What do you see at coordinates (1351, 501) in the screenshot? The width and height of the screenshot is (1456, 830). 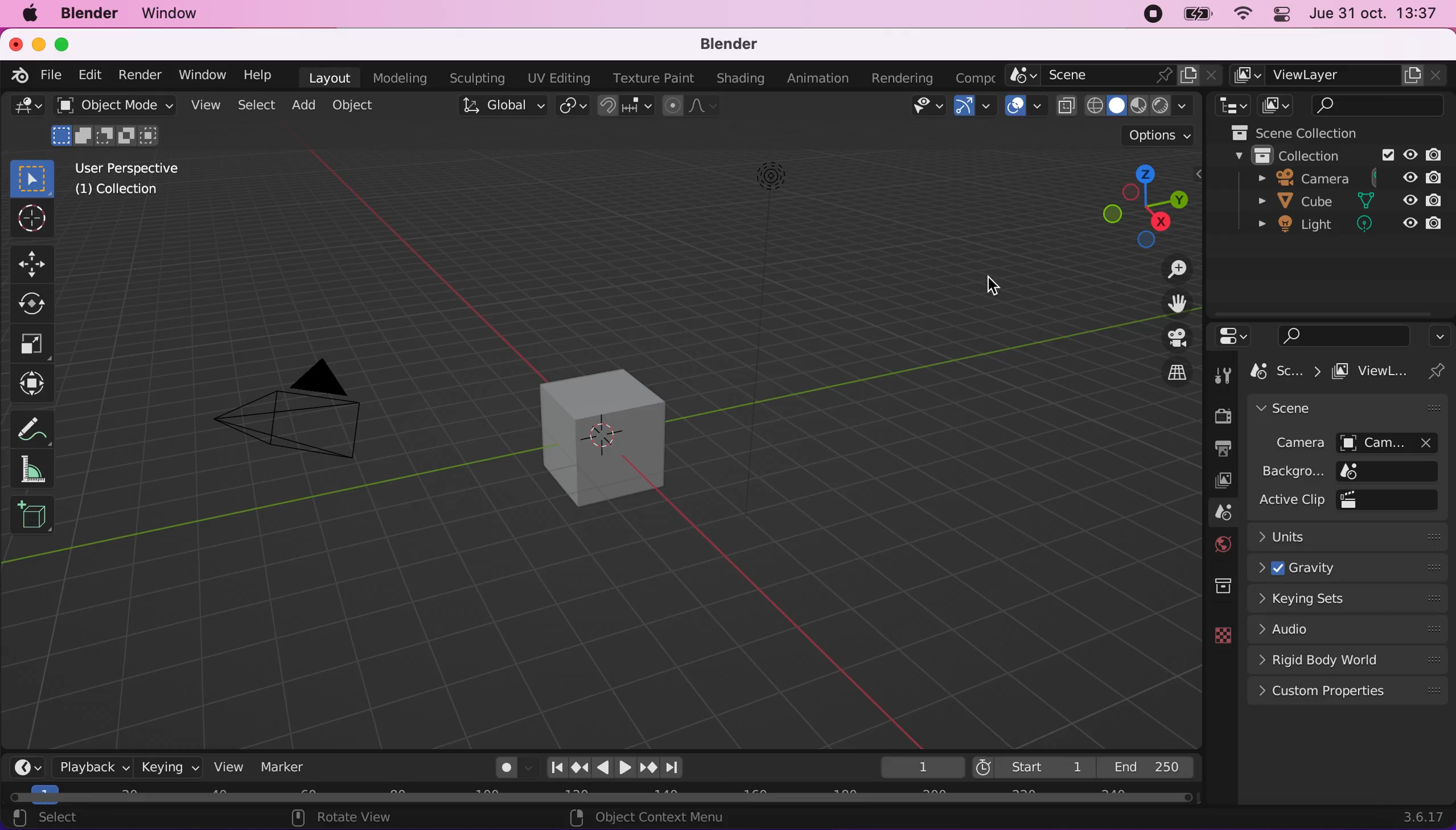 I see `active clip` at bounding box center [1351, 501].